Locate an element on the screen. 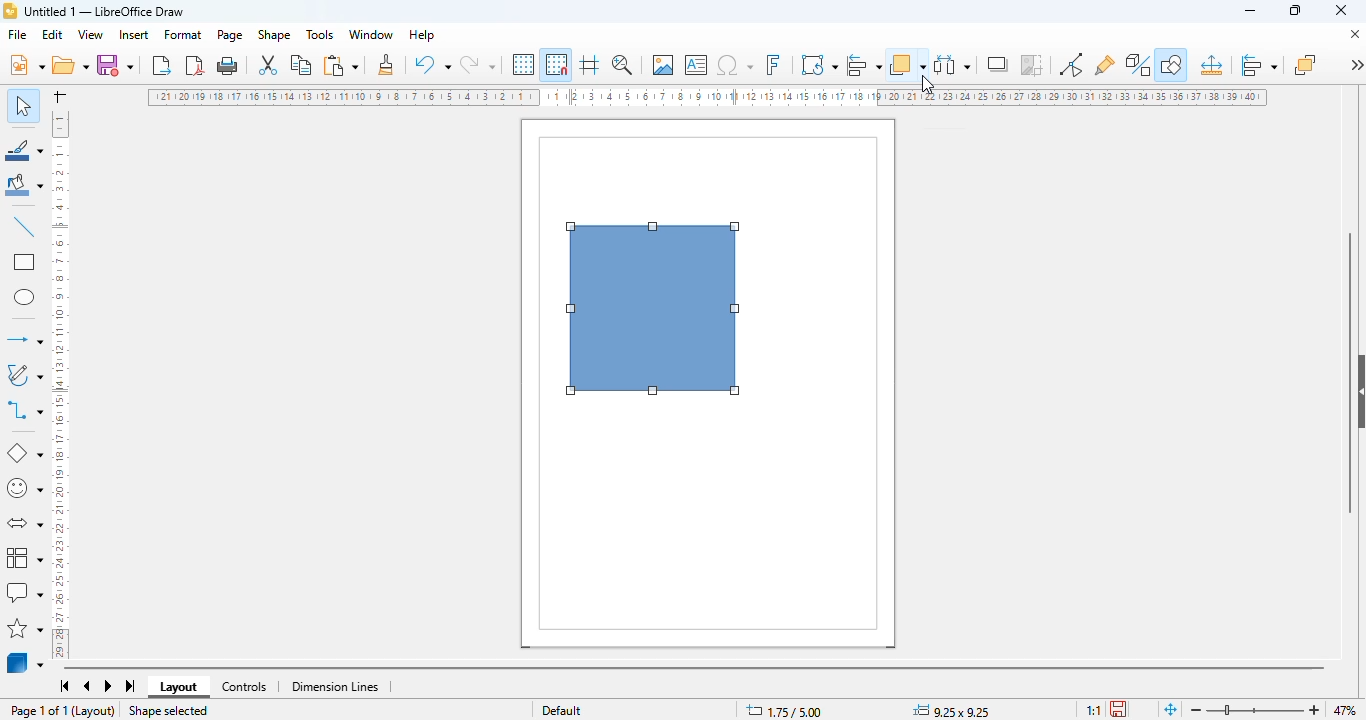 The image size is (1366, 720). (layout) is located at coordinates (95, 711).